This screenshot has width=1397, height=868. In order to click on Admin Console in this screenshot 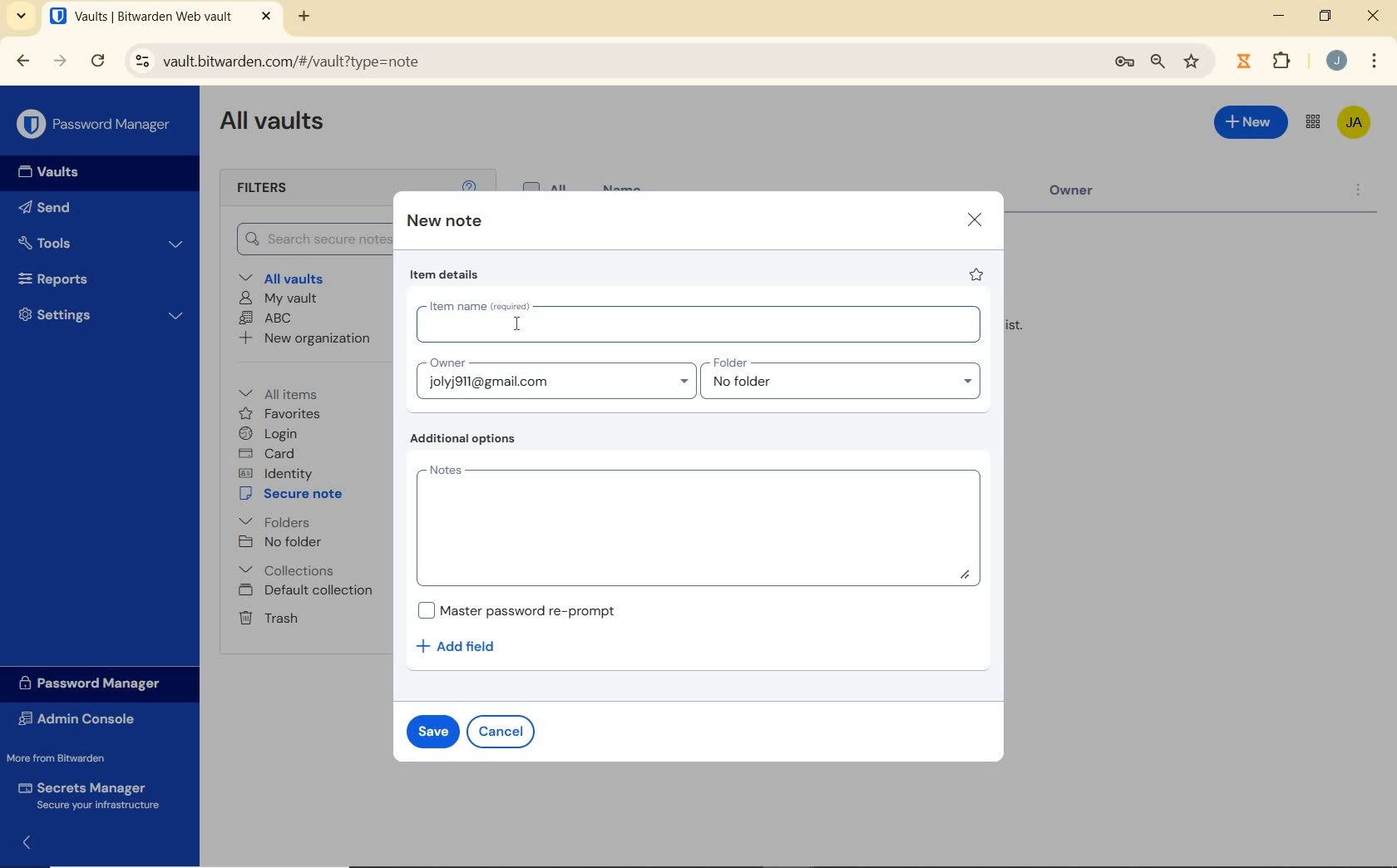, I will do `click(86, 718)`.